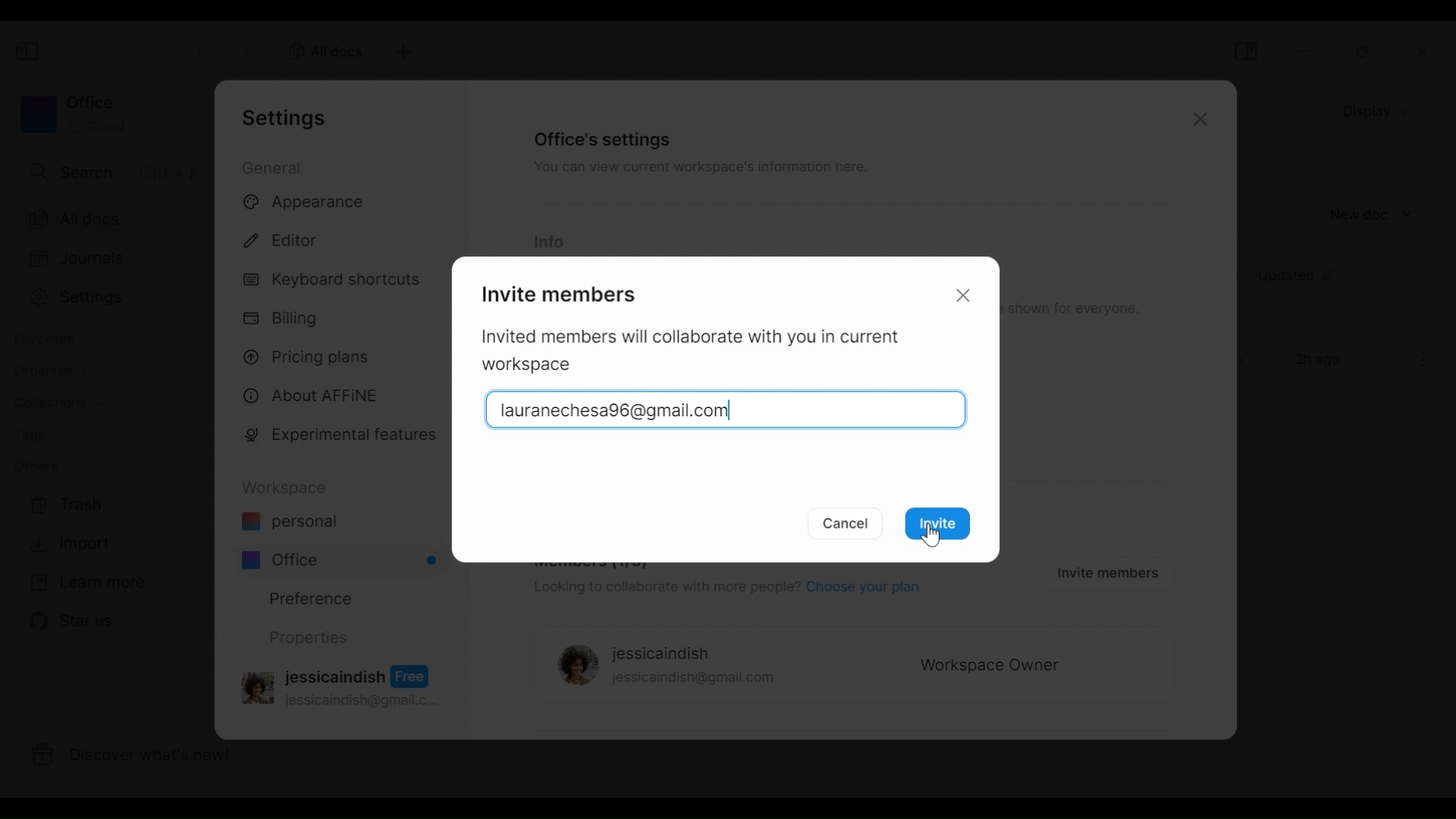  I want to click on Display, so click(1380, 110).